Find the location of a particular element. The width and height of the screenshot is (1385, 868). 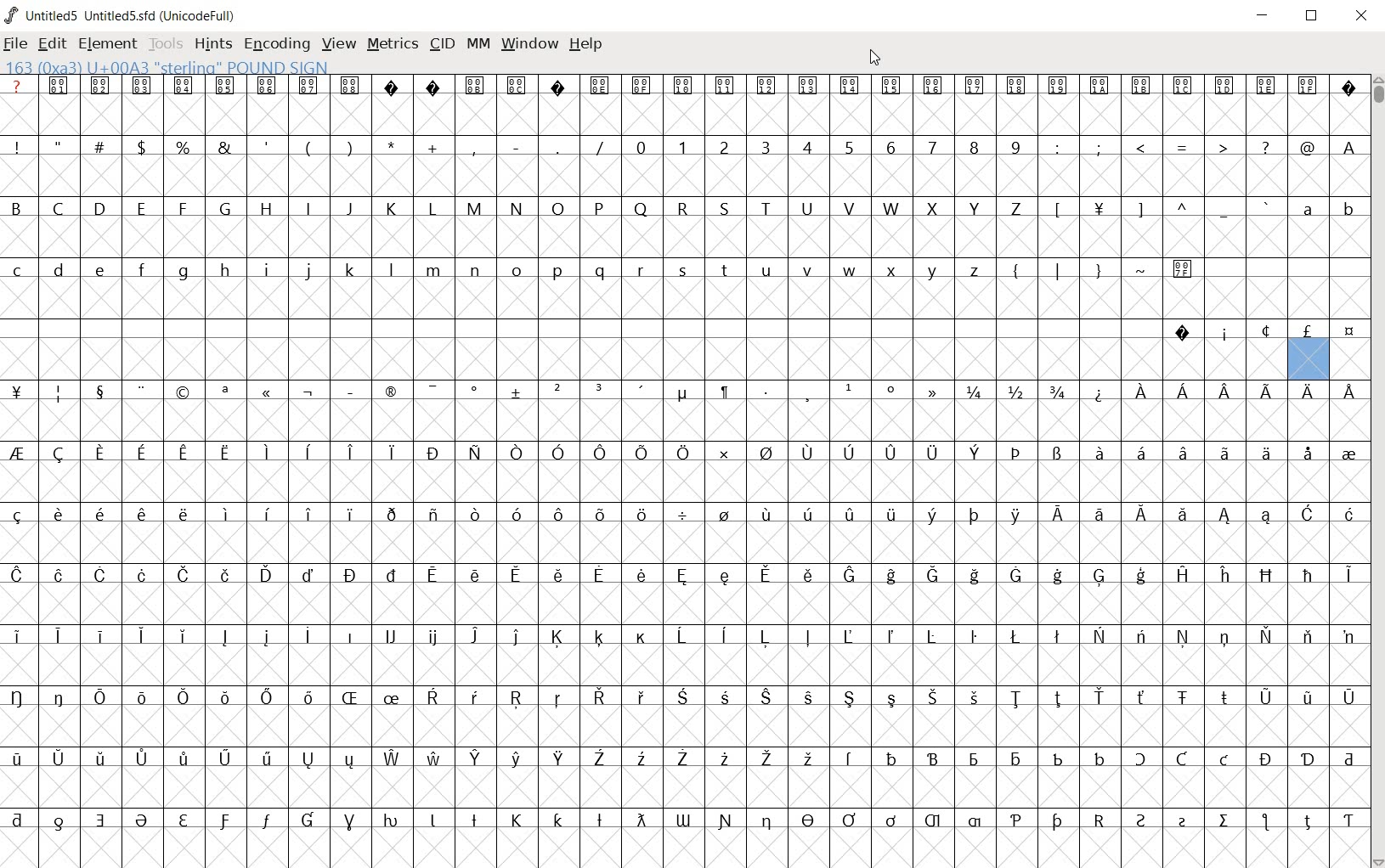

Symbol is located at coordinates (517, 820).